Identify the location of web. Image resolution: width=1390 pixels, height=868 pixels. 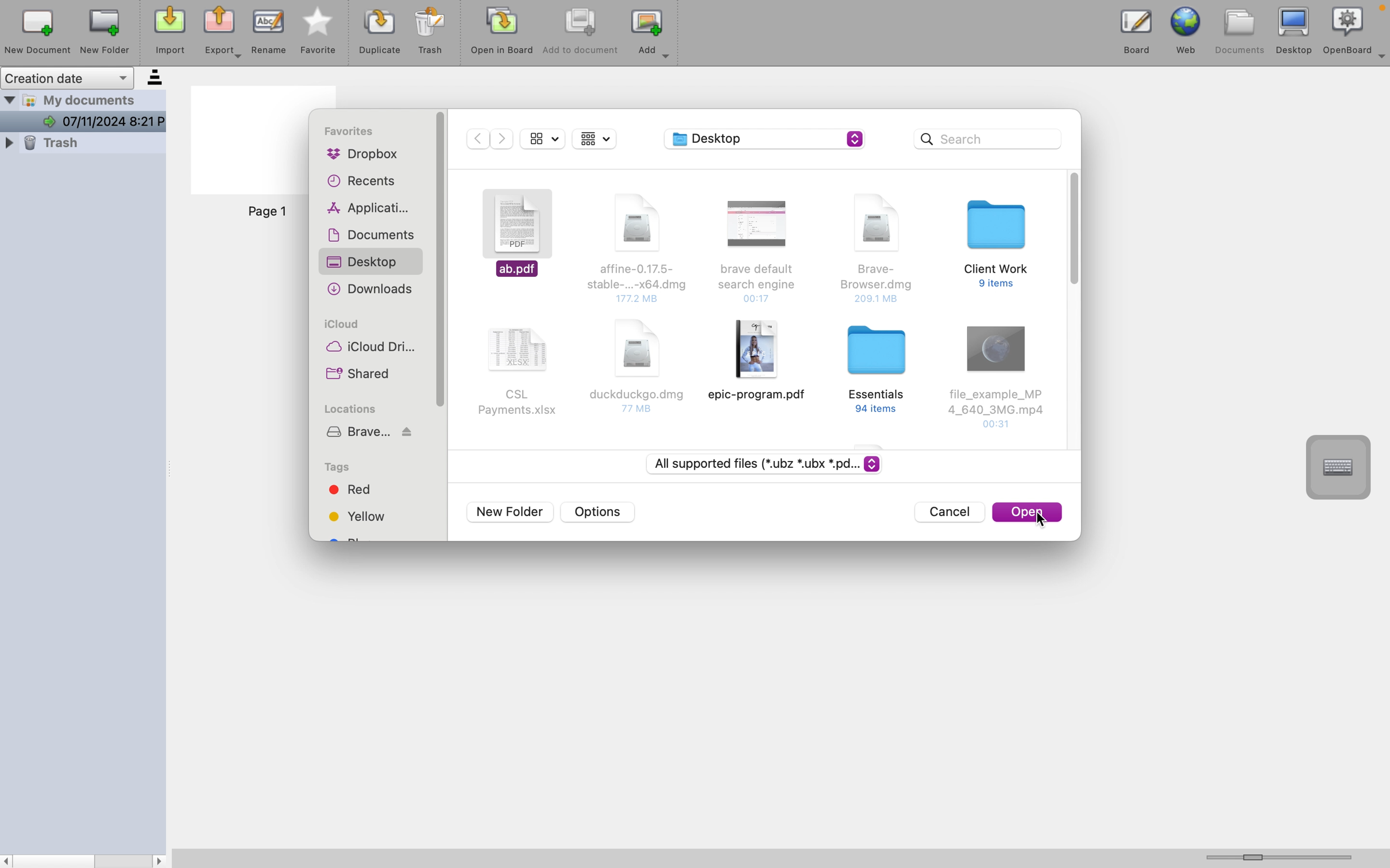
(1188, 29).